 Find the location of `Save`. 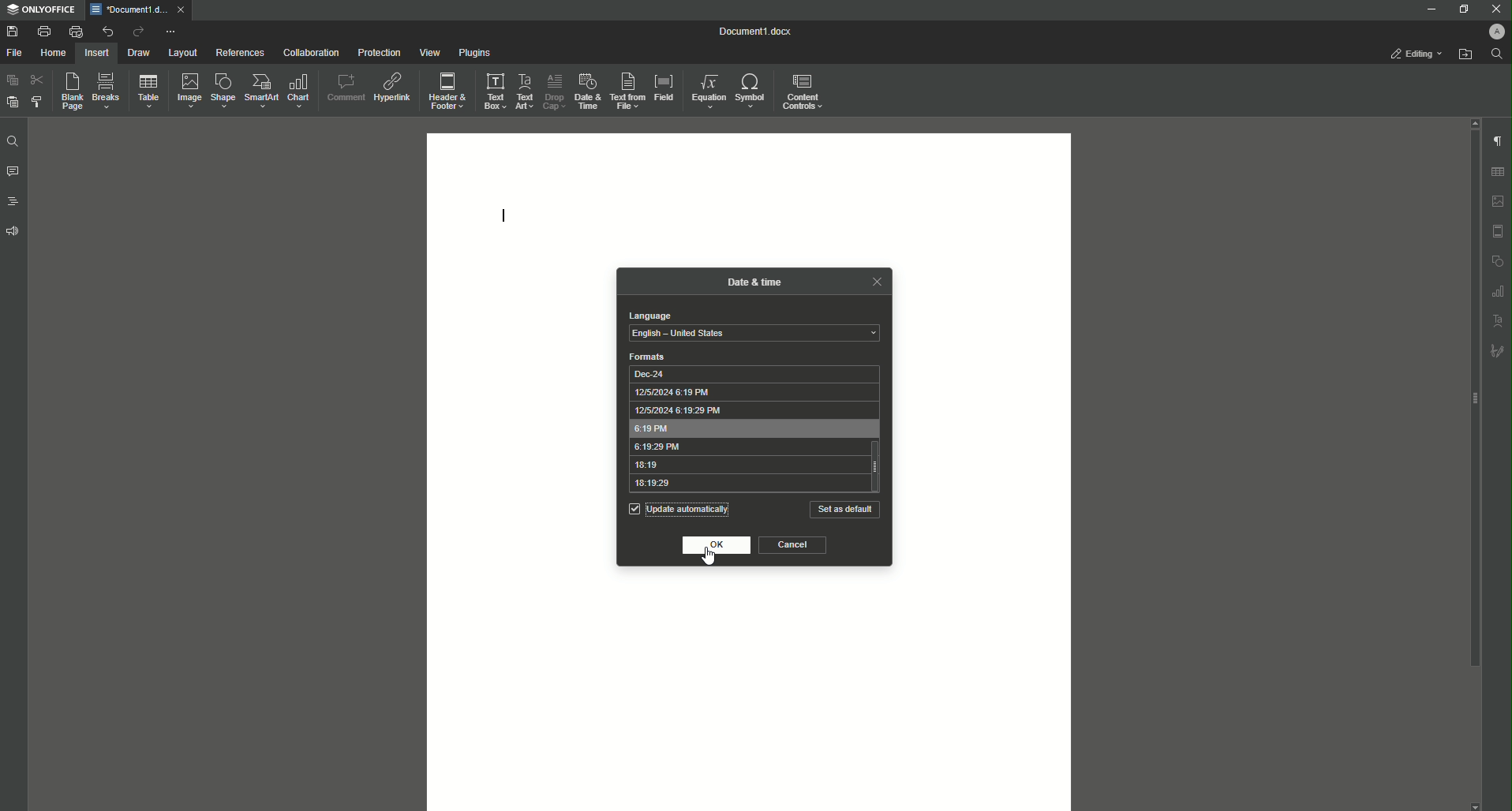

Save is located at coordinates (12, 31).